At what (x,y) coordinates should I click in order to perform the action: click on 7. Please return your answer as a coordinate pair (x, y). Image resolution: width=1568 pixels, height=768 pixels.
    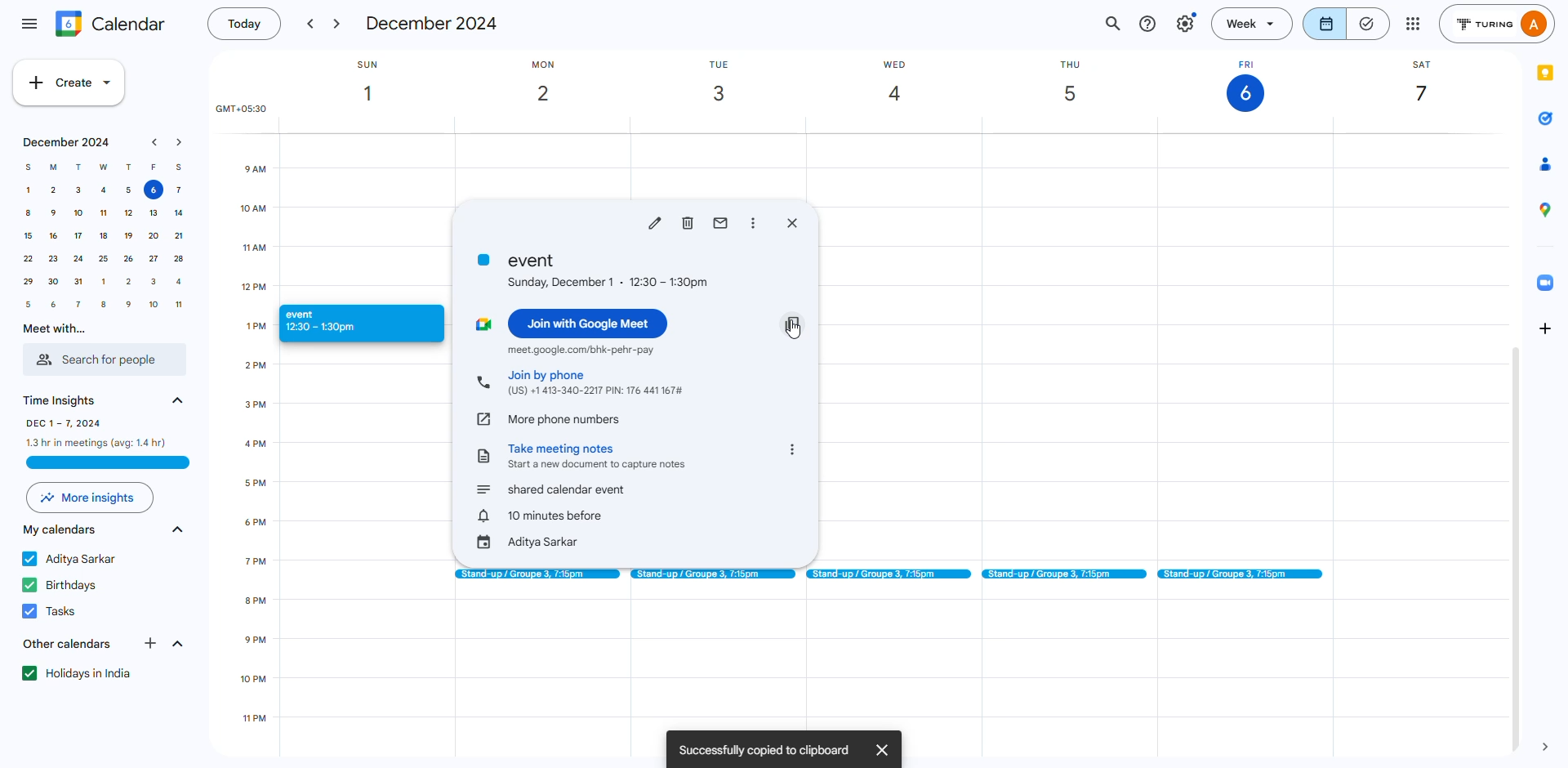
    Looking at the image, I should click on (79, 303).